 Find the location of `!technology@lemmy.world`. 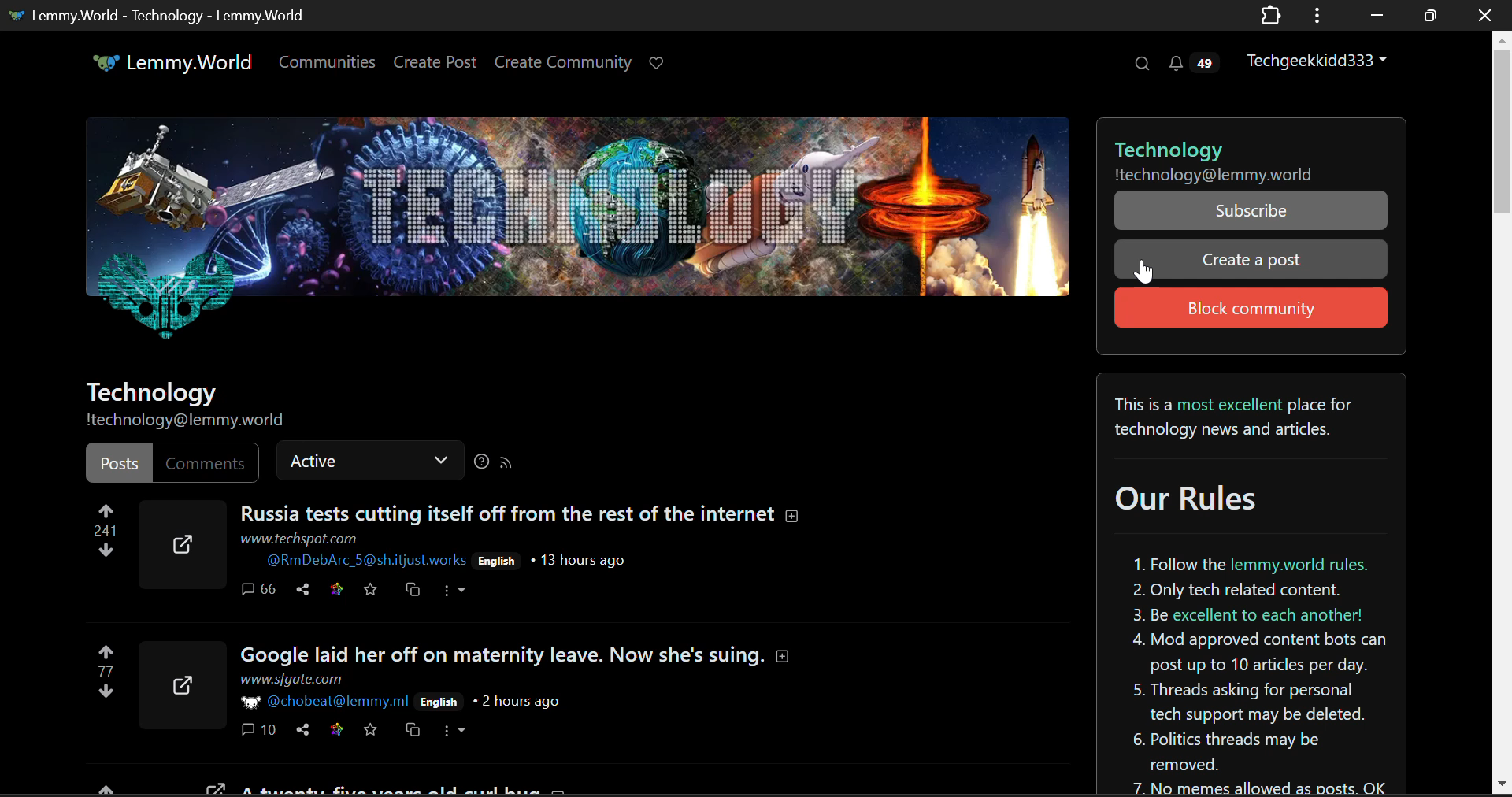

!technology@lemmy.world is located at coordinates (190, 422).